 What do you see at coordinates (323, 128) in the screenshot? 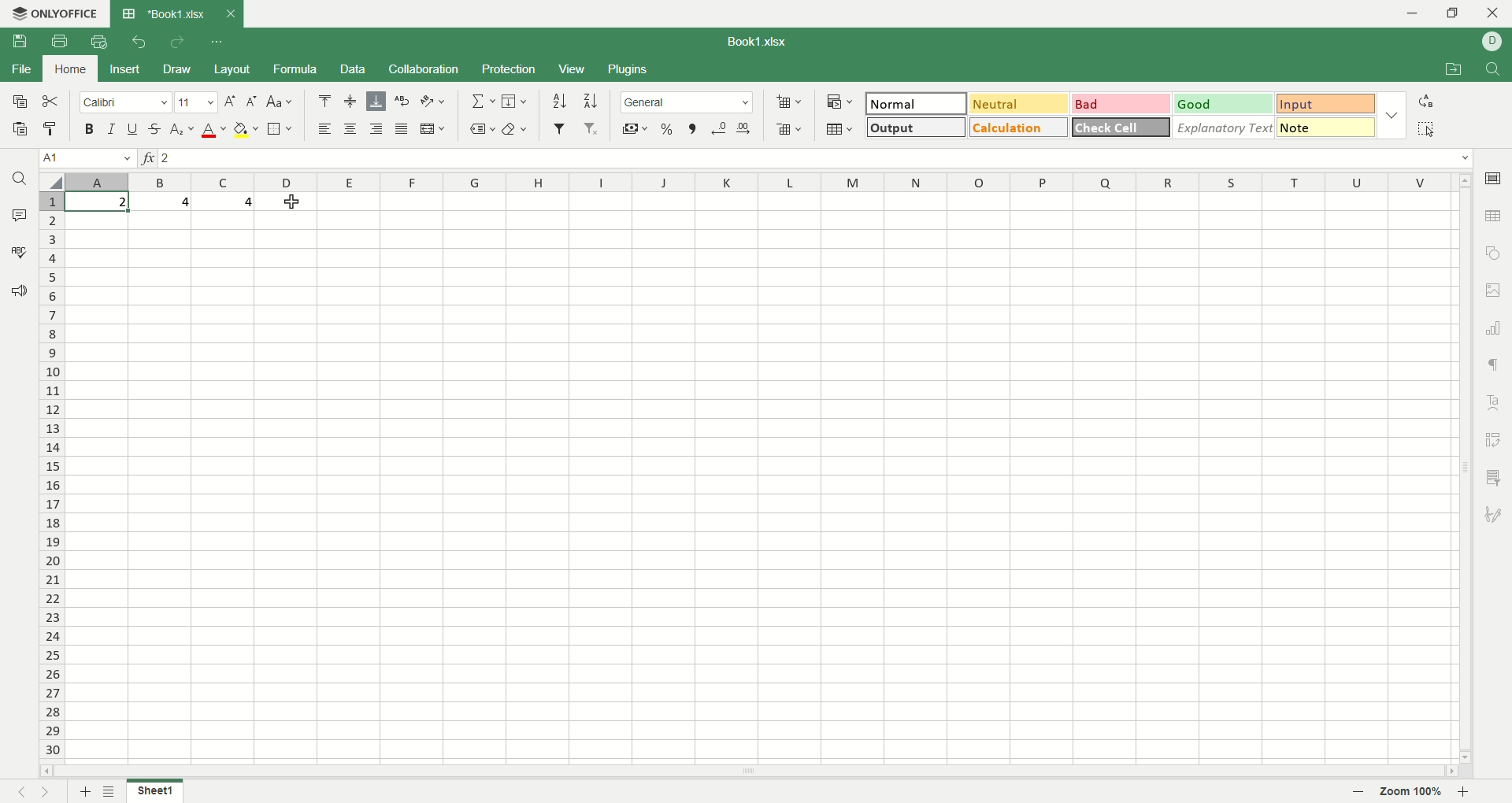
I see `align left` at bounding box center [323, 128].